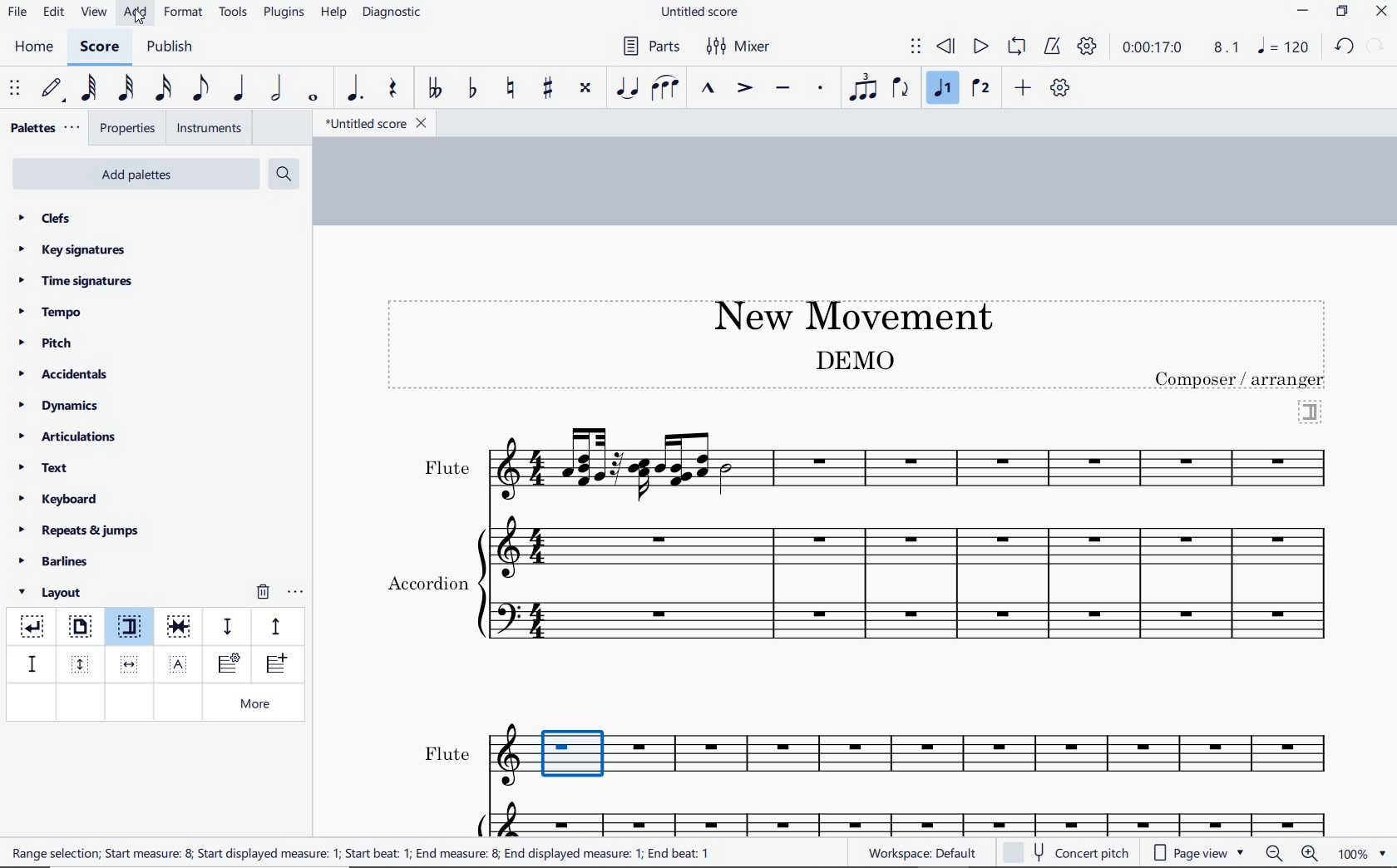 The height and width of the screenshot is (868, 1397). What do you see at coordinates (63, 406) in the screenshot?
I see `dynamics` at bounding box center [63, 406].